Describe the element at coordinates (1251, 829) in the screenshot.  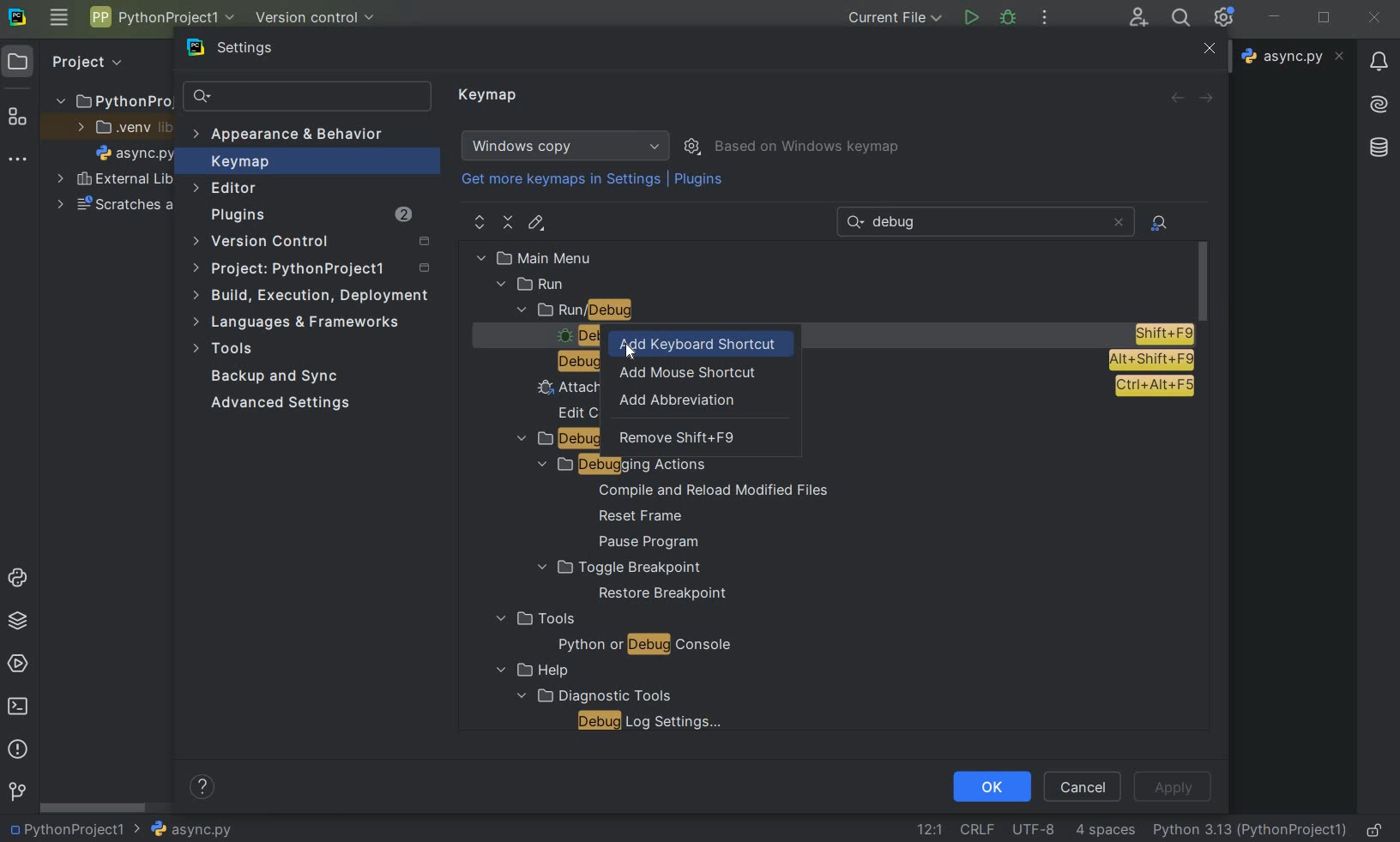
I see `current interpreter` at that location.